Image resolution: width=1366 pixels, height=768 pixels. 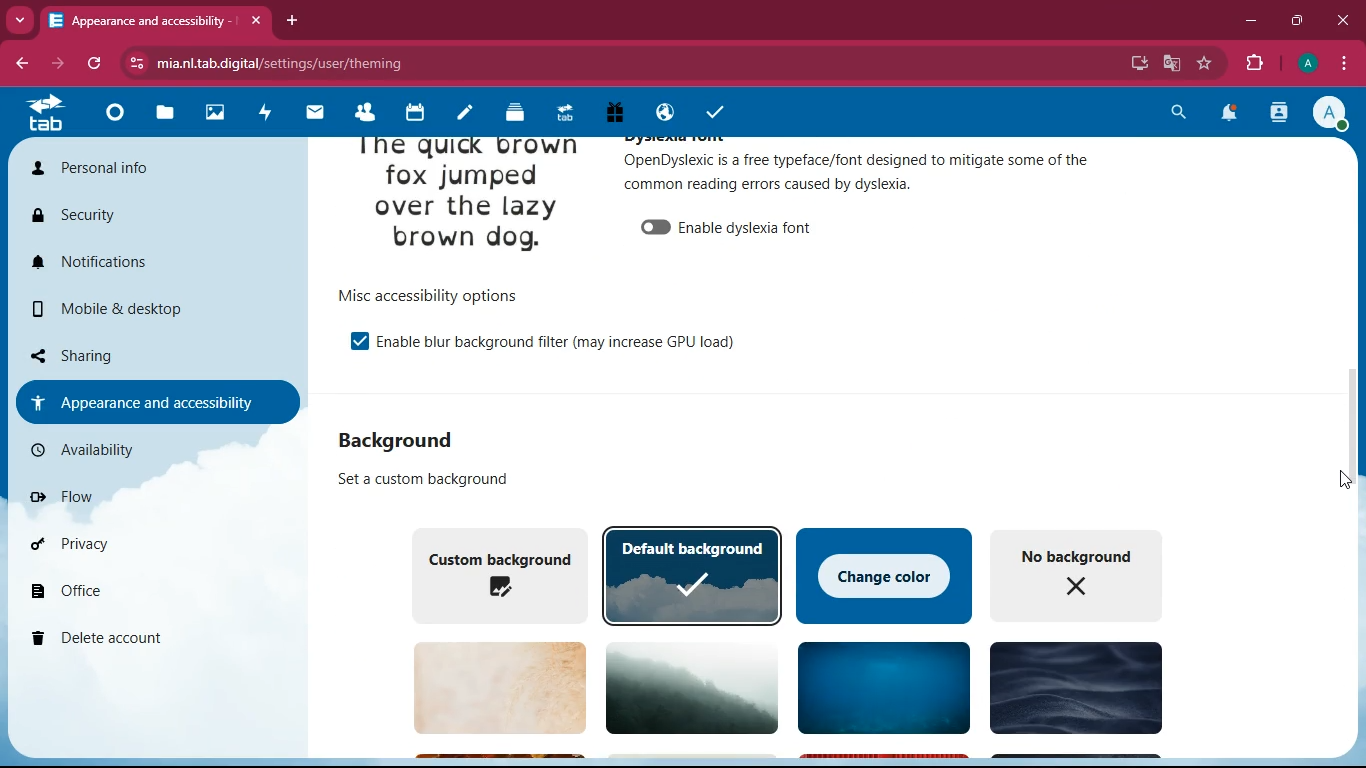 What do you see at coordinates (1342, 19) in the screenshot?
I see `close` at bounding box center [1342, 19].